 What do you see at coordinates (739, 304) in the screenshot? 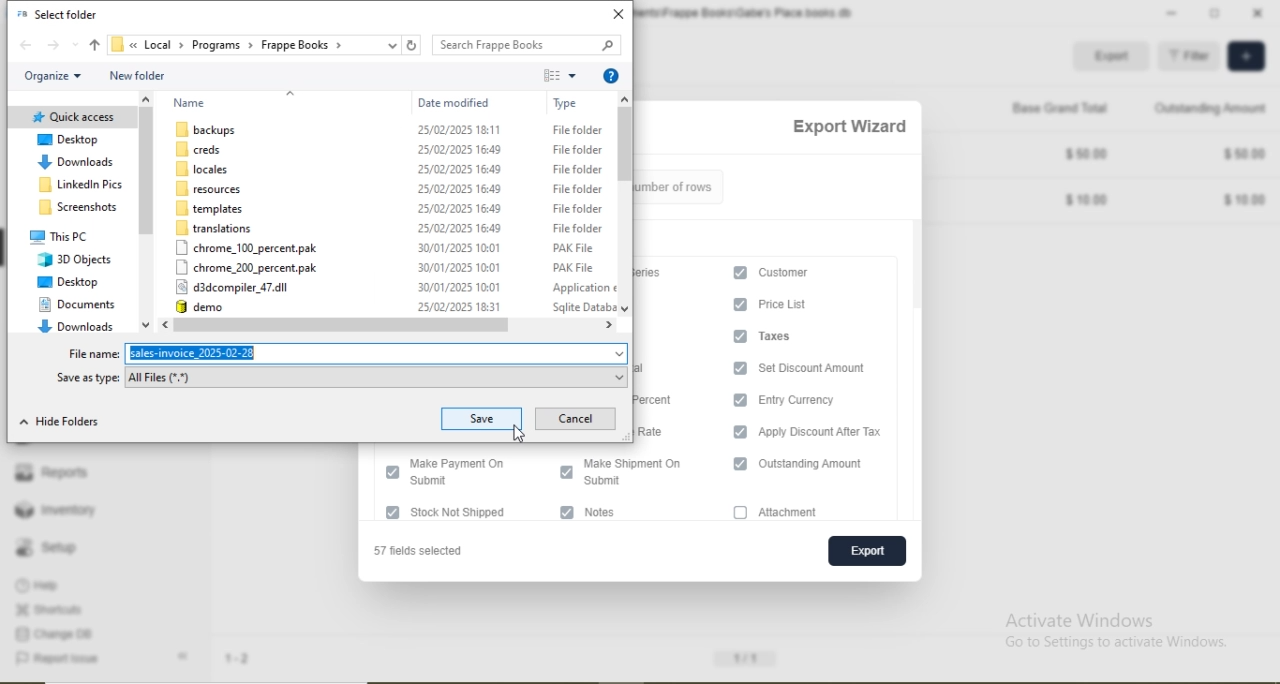
I see `checkbox` at bounding box center [739, 304].